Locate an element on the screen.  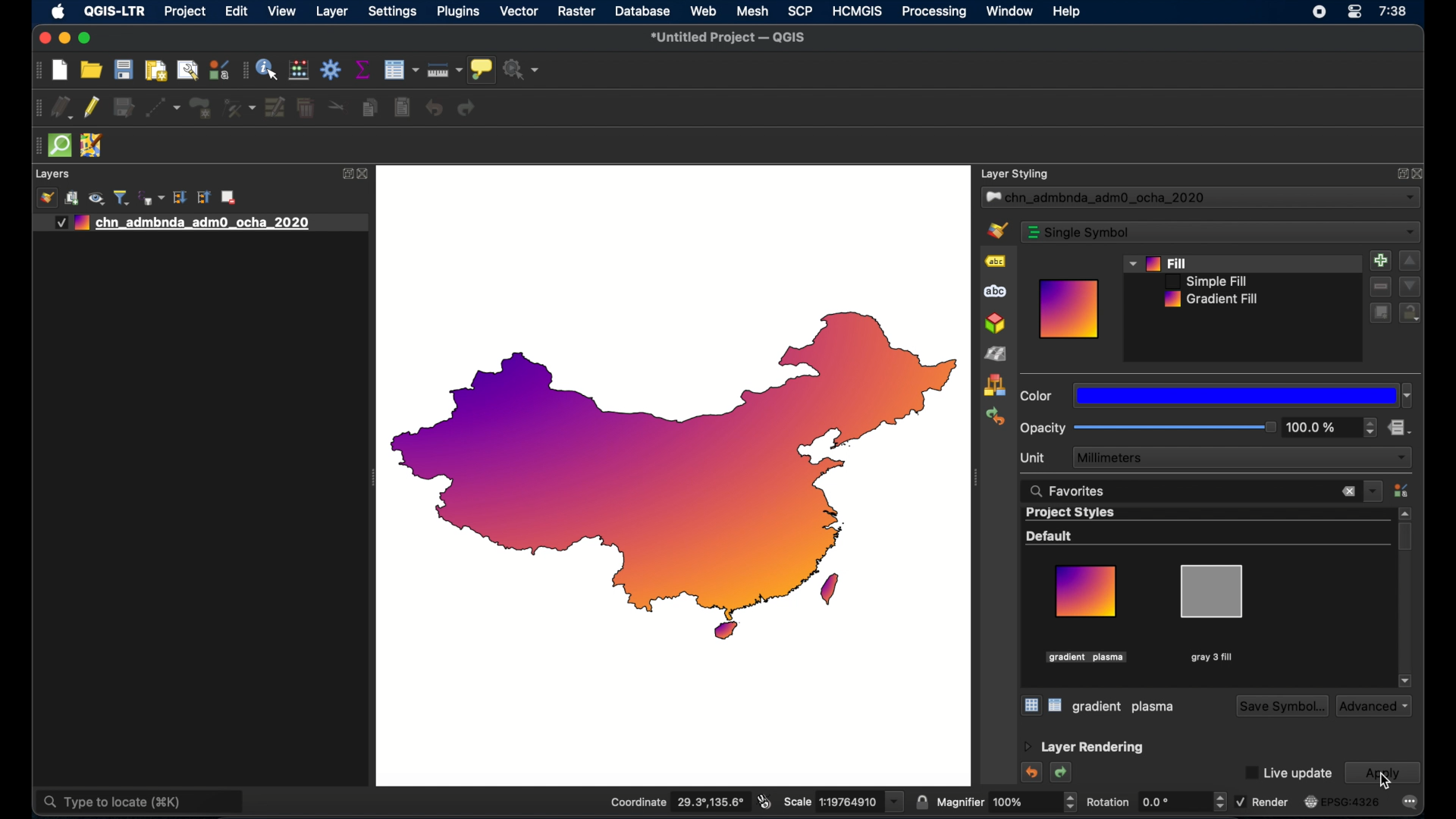
lock scale is located at coordinates (921, 802).